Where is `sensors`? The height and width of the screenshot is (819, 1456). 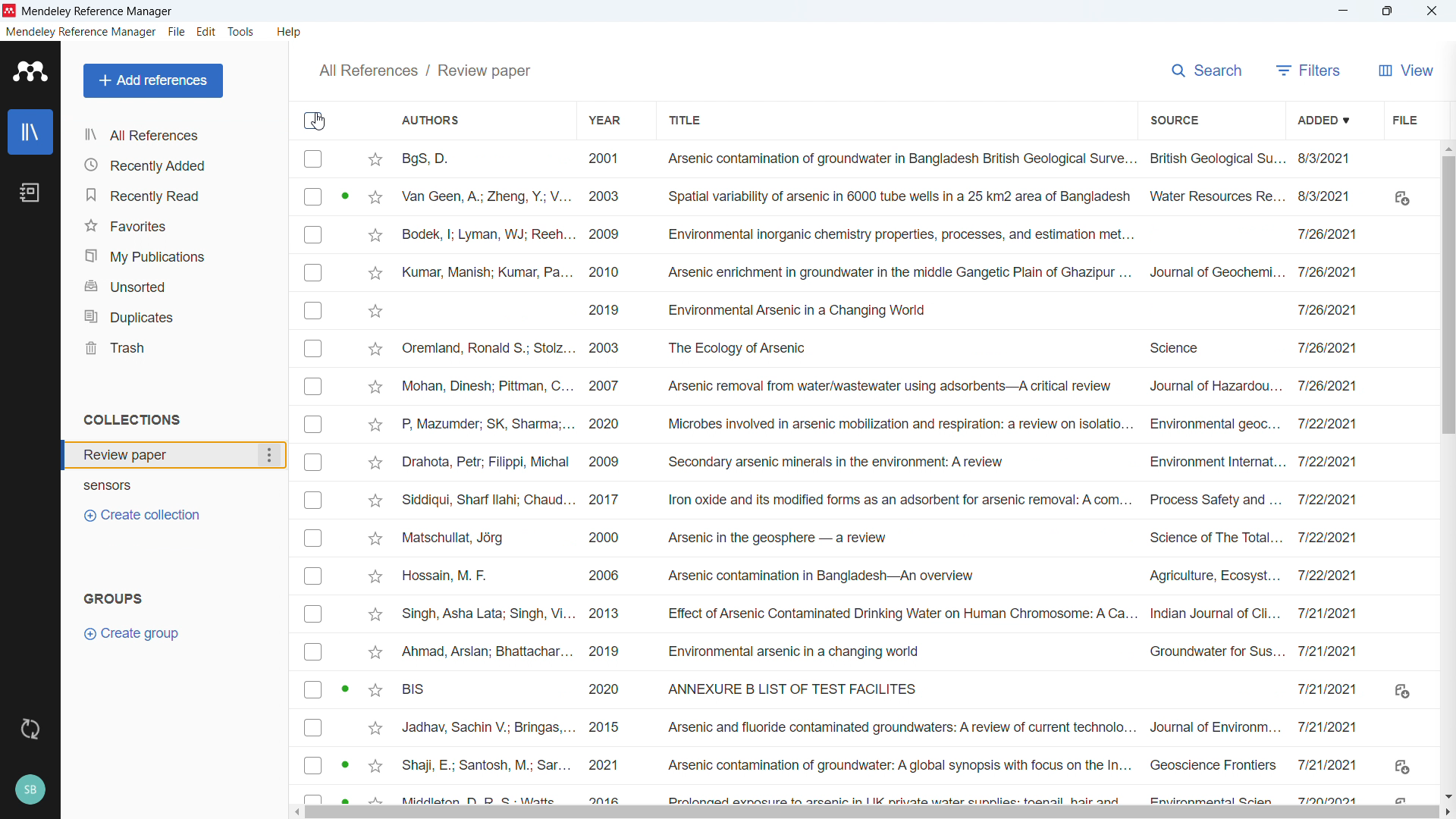
sensors is located at coordinates (136, 487).